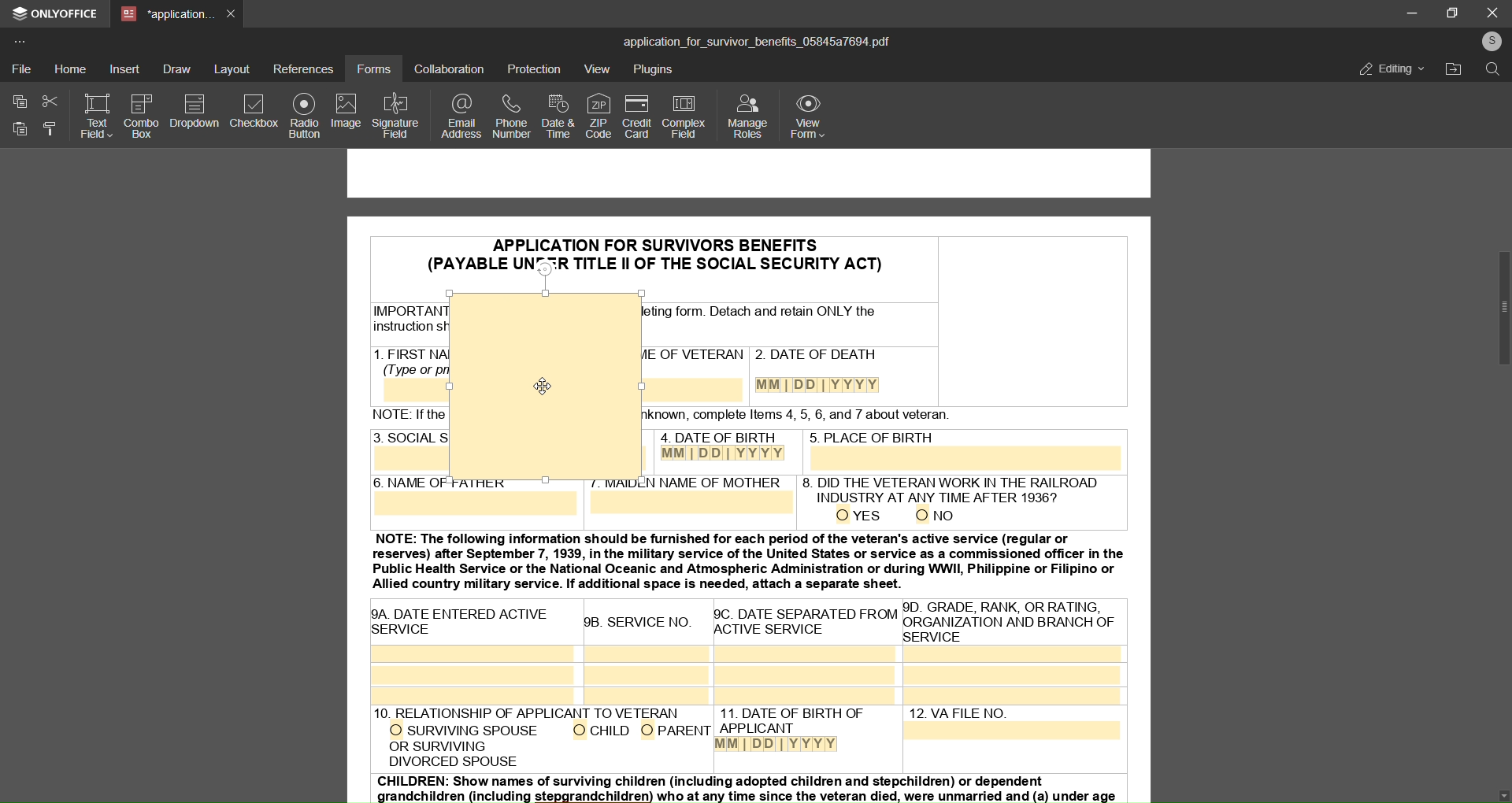 The image size is (1512, 803). Describe the element at coordinates (811, 116) in the screenshot. I see `view form` at that location.